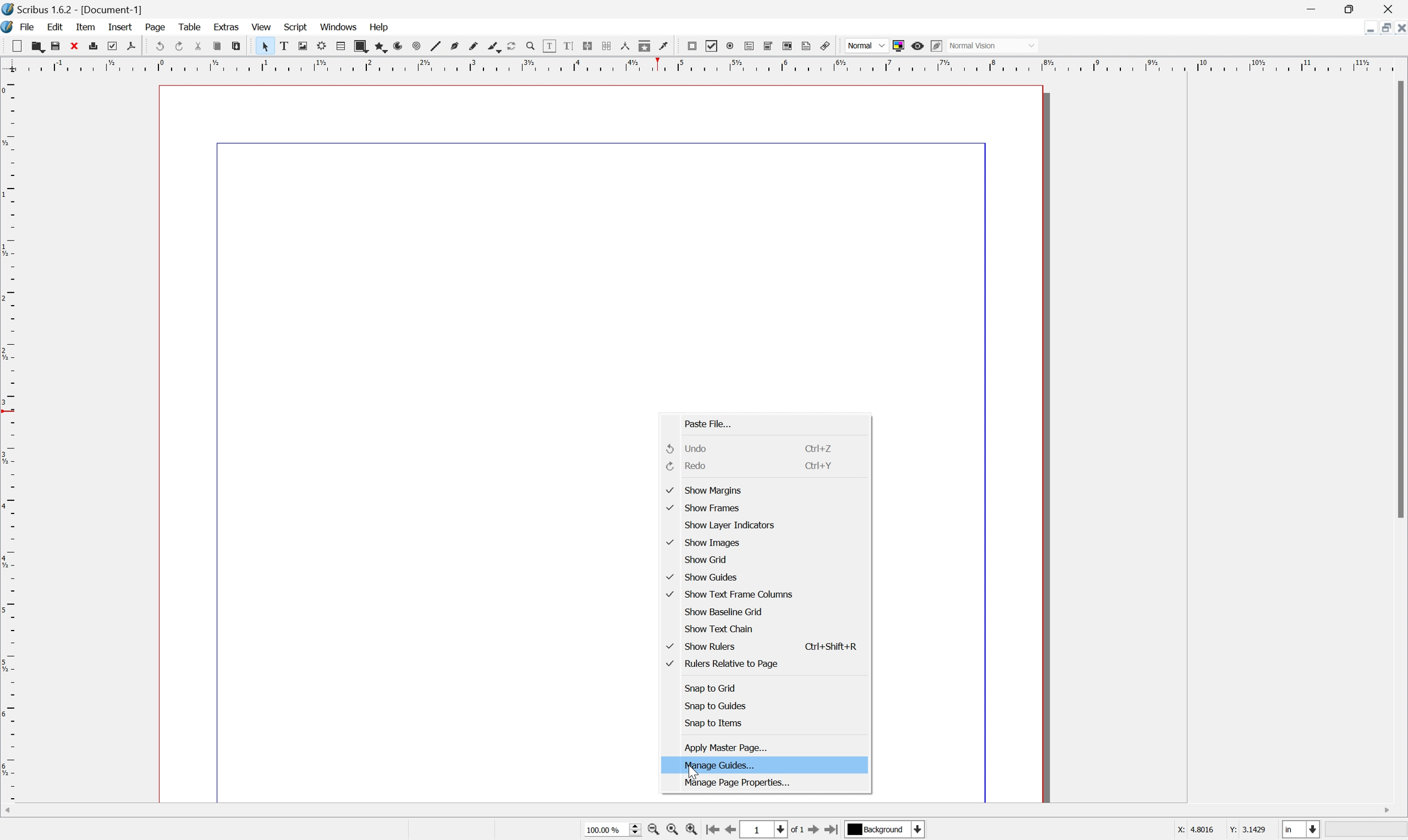 The height and width of the screenshot is (840, 1408). What do you see at coordinates (706, 507) in the screenshot?
I see `show frames` at bounding box center [706, 507].